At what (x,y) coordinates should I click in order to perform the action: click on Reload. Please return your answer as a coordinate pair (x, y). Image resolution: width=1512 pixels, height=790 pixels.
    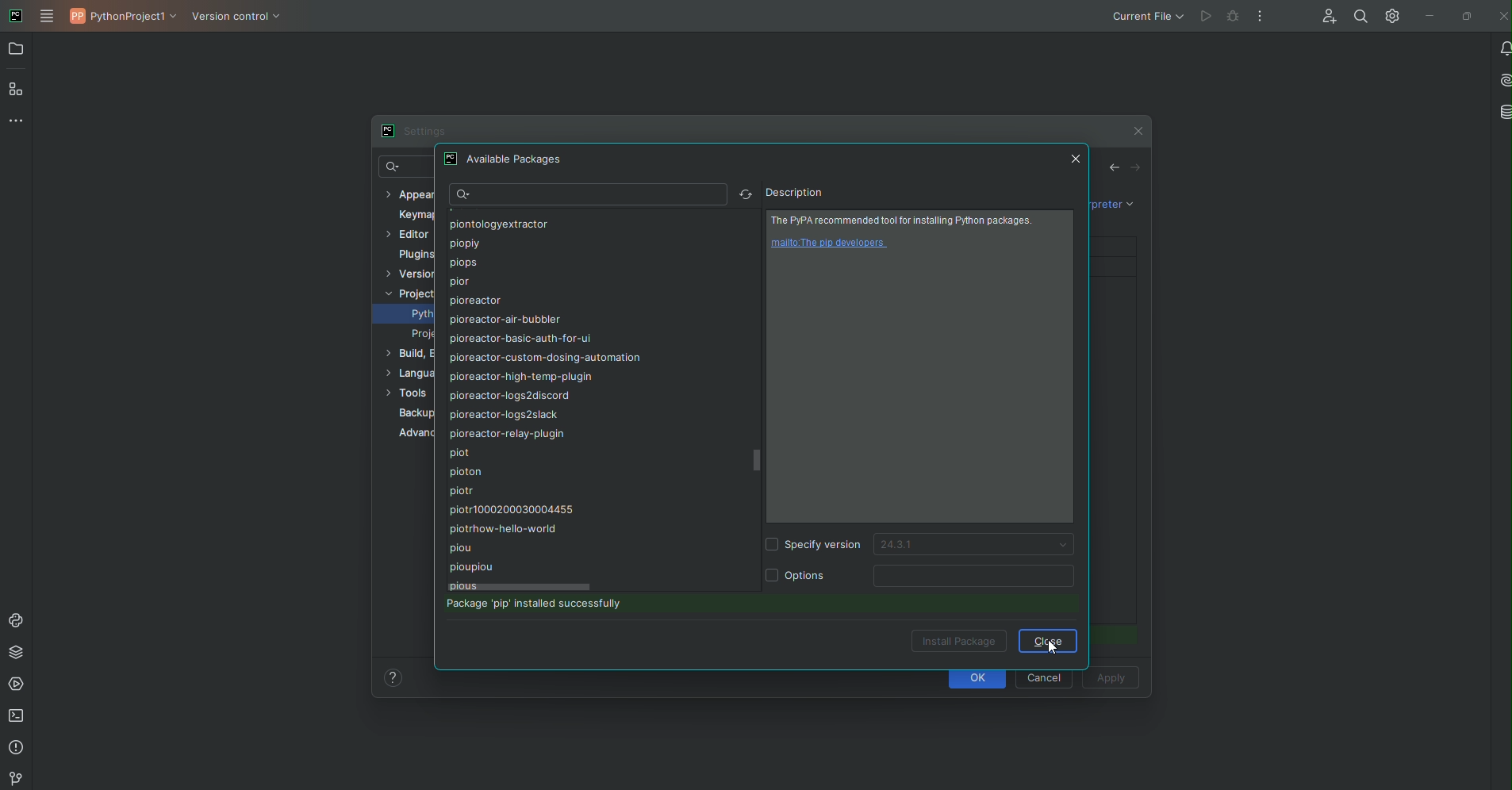
    Looking at the image, I should click on (743, 195).